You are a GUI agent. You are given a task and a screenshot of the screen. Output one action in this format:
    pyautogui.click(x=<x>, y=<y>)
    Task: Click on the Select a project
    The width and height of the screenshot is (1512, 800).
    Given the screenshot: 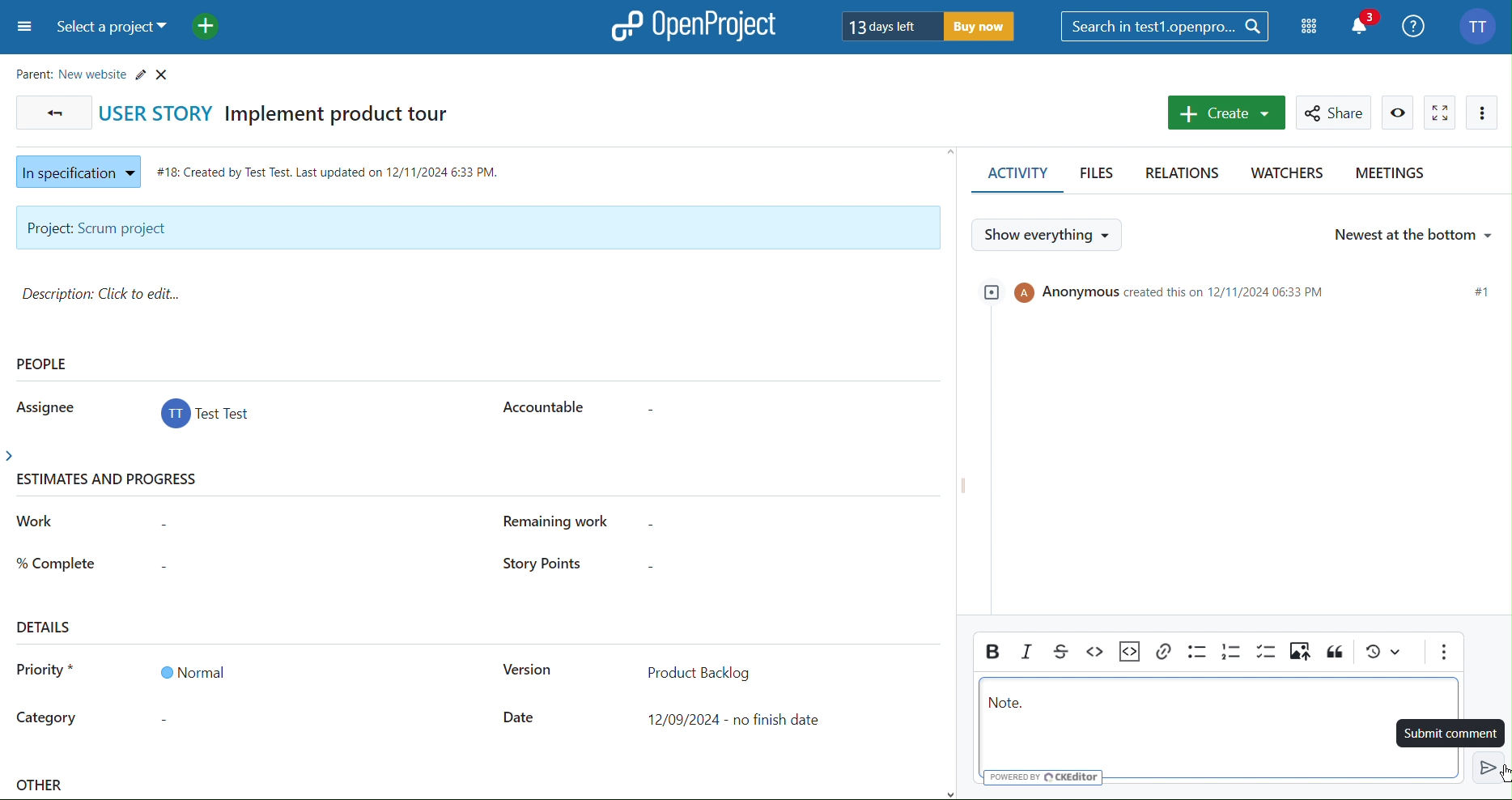 What is the action you would take?
    pyautogui.click(x=116, y=28)
    